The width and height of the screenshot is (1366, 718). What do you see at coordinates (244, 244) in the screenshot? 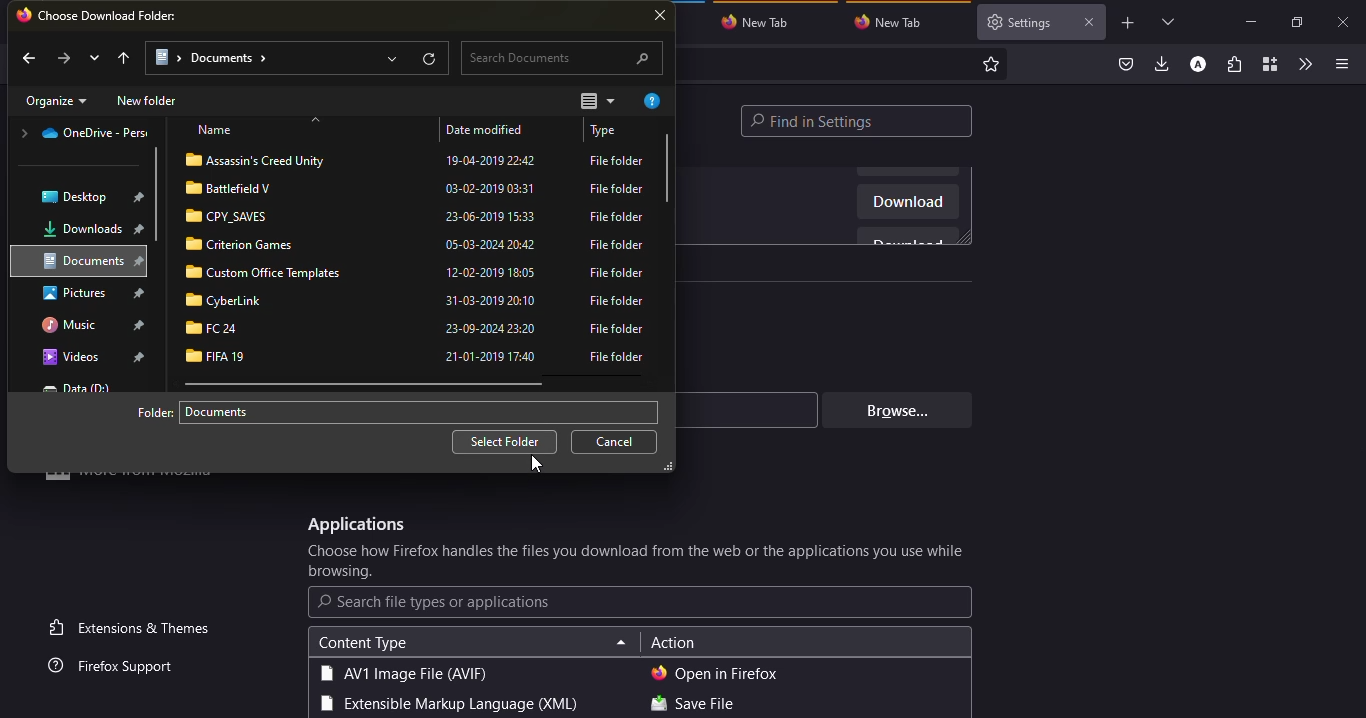
I see `folder` at bounding box center [244, 244].